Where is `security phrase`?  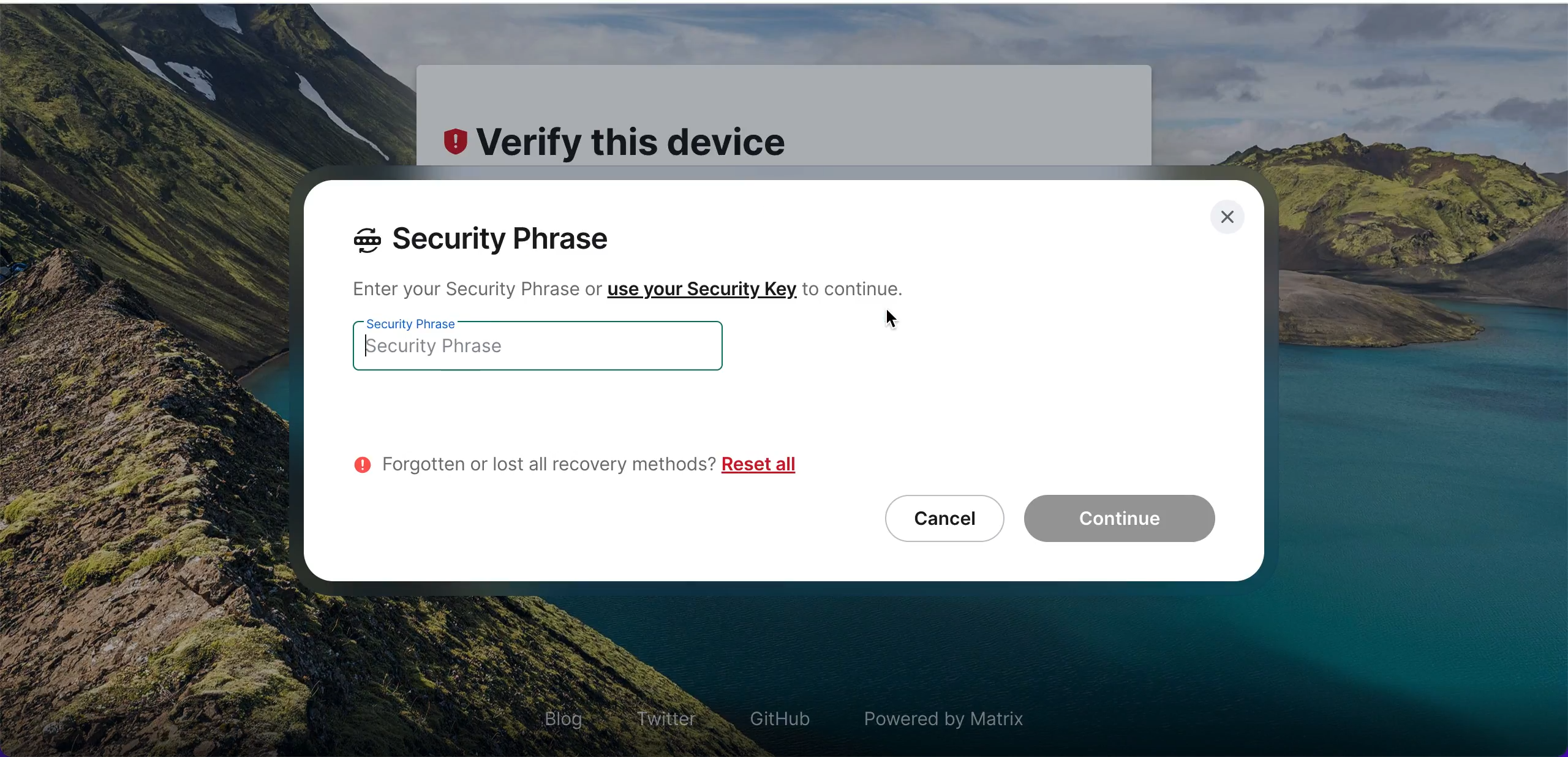
security phrase is located at coordinates (500, 239).